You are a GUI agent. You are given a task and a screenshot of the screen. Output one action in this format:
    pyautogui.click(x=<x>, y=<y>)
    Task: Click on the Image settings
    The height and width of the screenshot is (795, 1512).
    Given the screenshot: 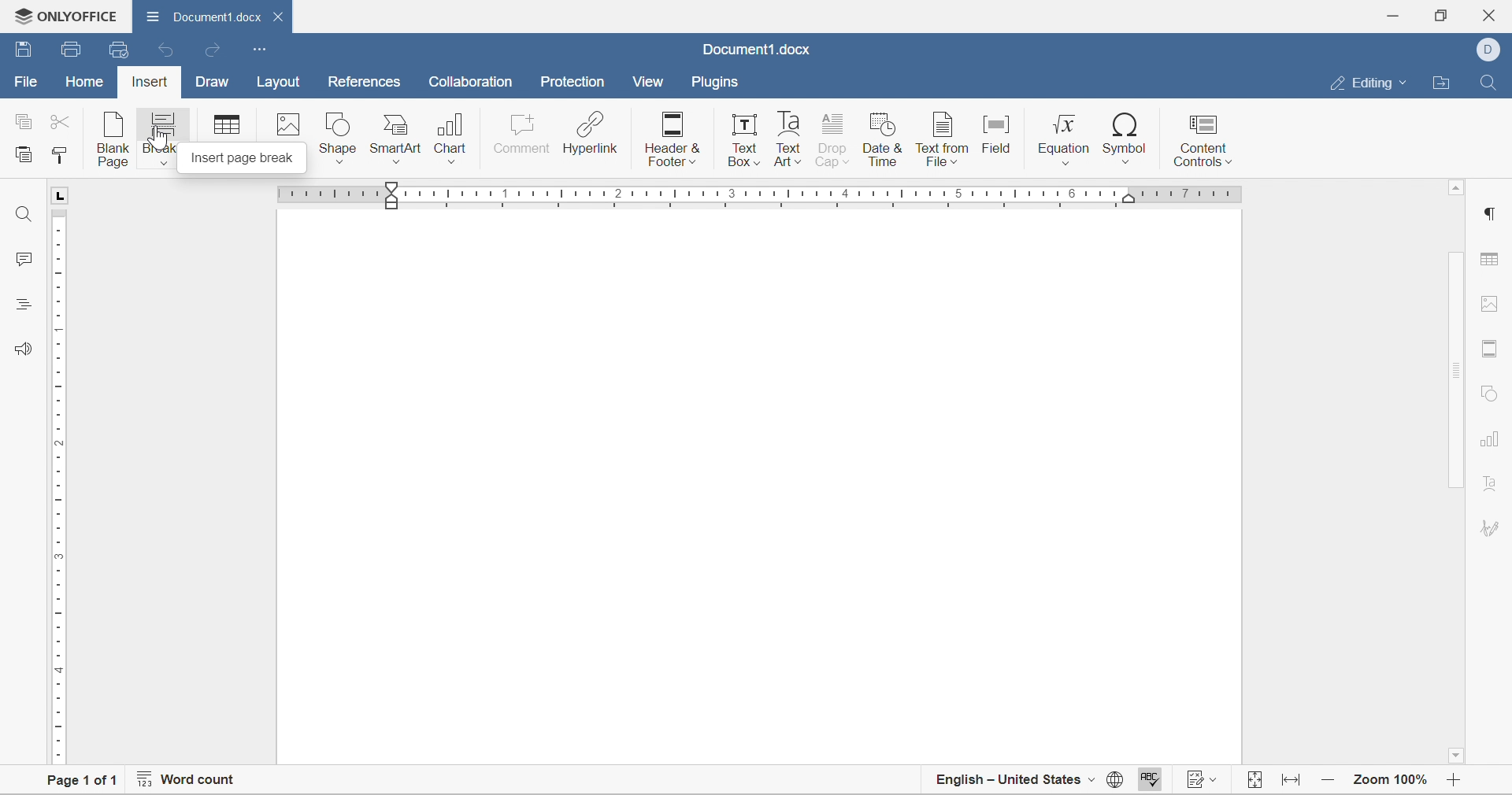 What is the action you would take?
    pyautogui.click(x=1494, y=307)
    